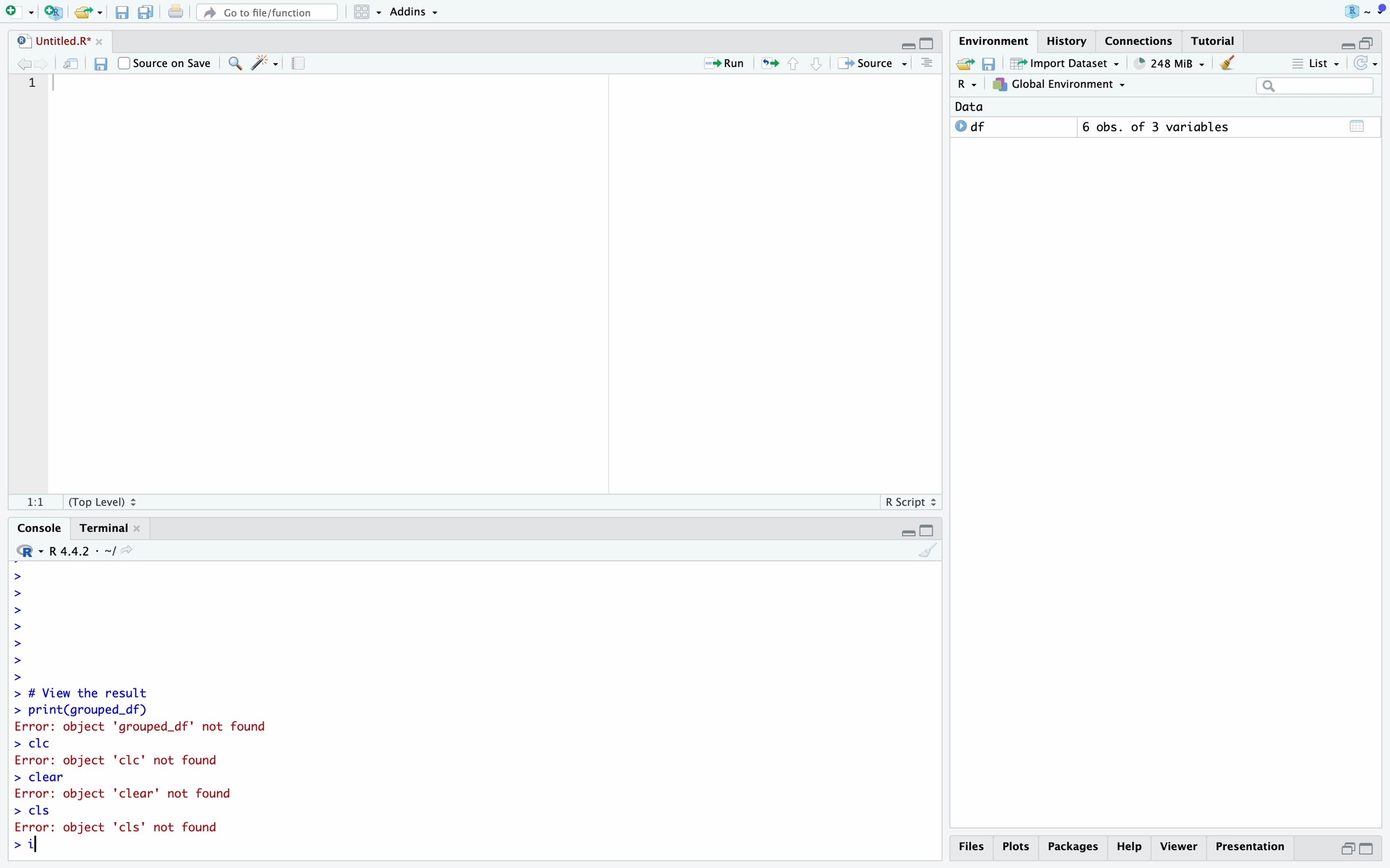  What do you see at coordinates (1067, 63) in the screenshot?
I see `Import Dataset` at bounding box center [1067, 63].